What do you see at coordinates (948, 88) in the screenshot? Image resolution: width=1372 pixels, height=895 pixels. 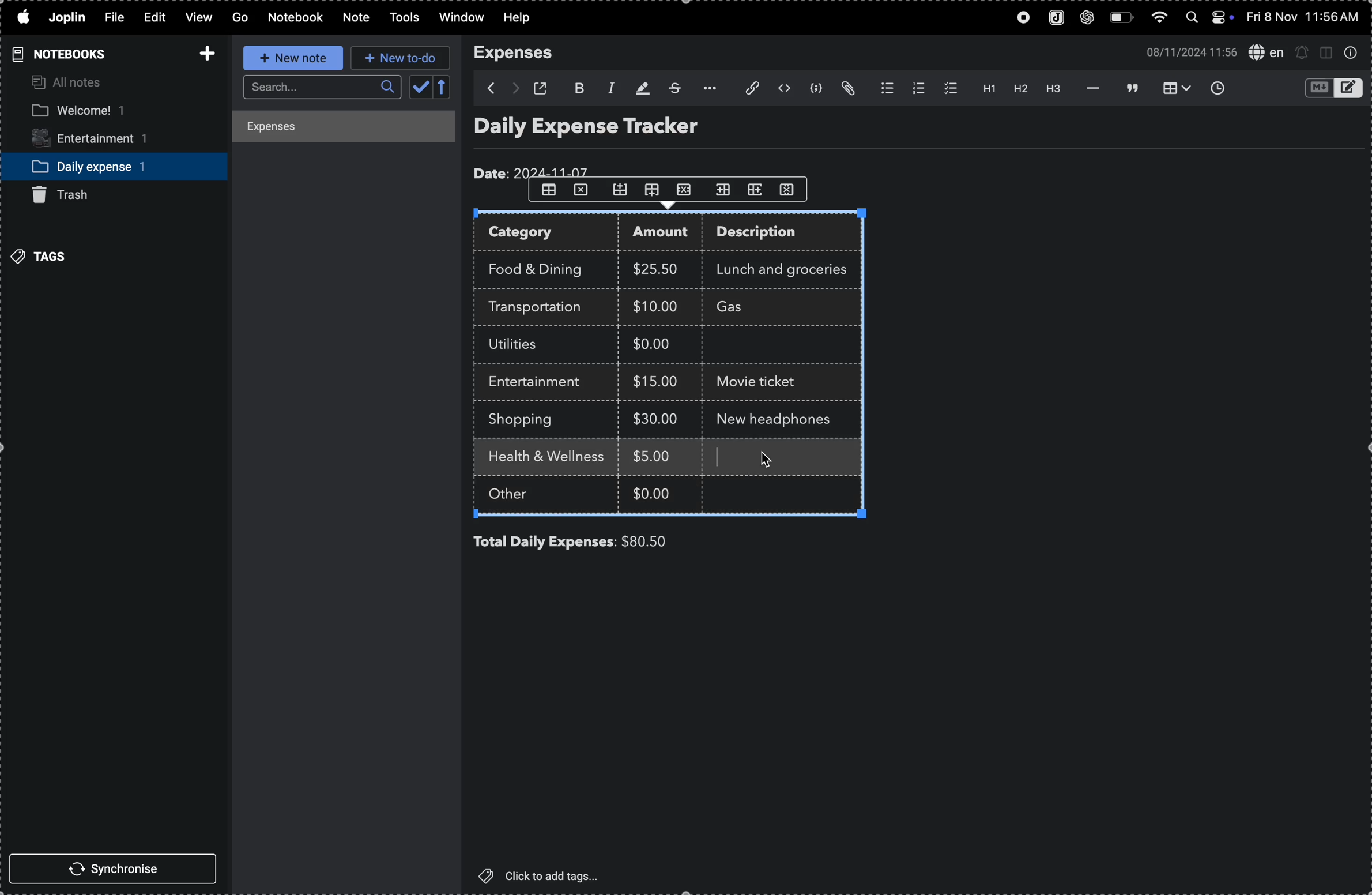 I see `checklist` at bounding box center [948, 88].